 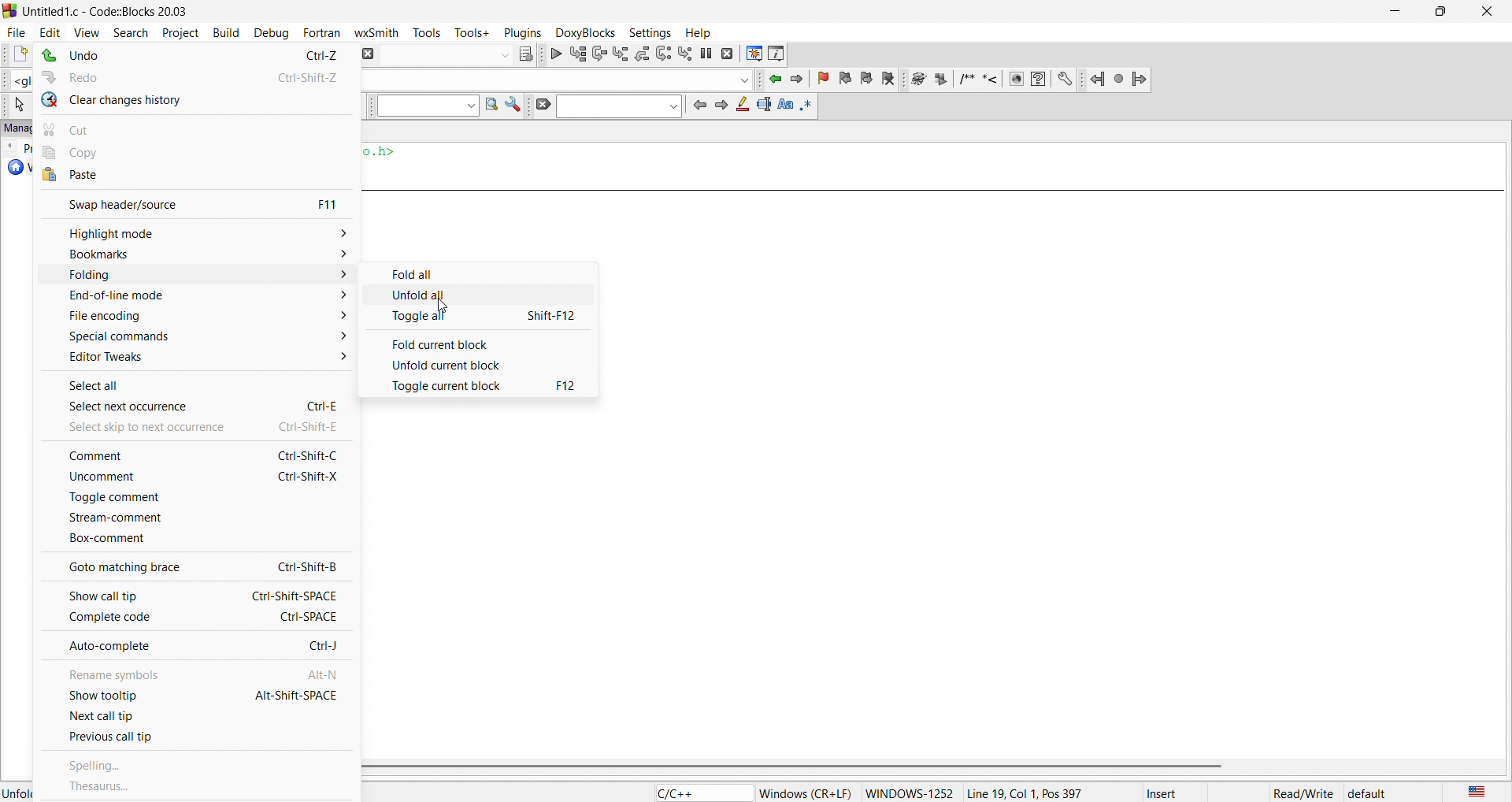 What do you see at coordinates (443, 54) in the screenshot?
I see `input box` at bounding box center [443, 54].